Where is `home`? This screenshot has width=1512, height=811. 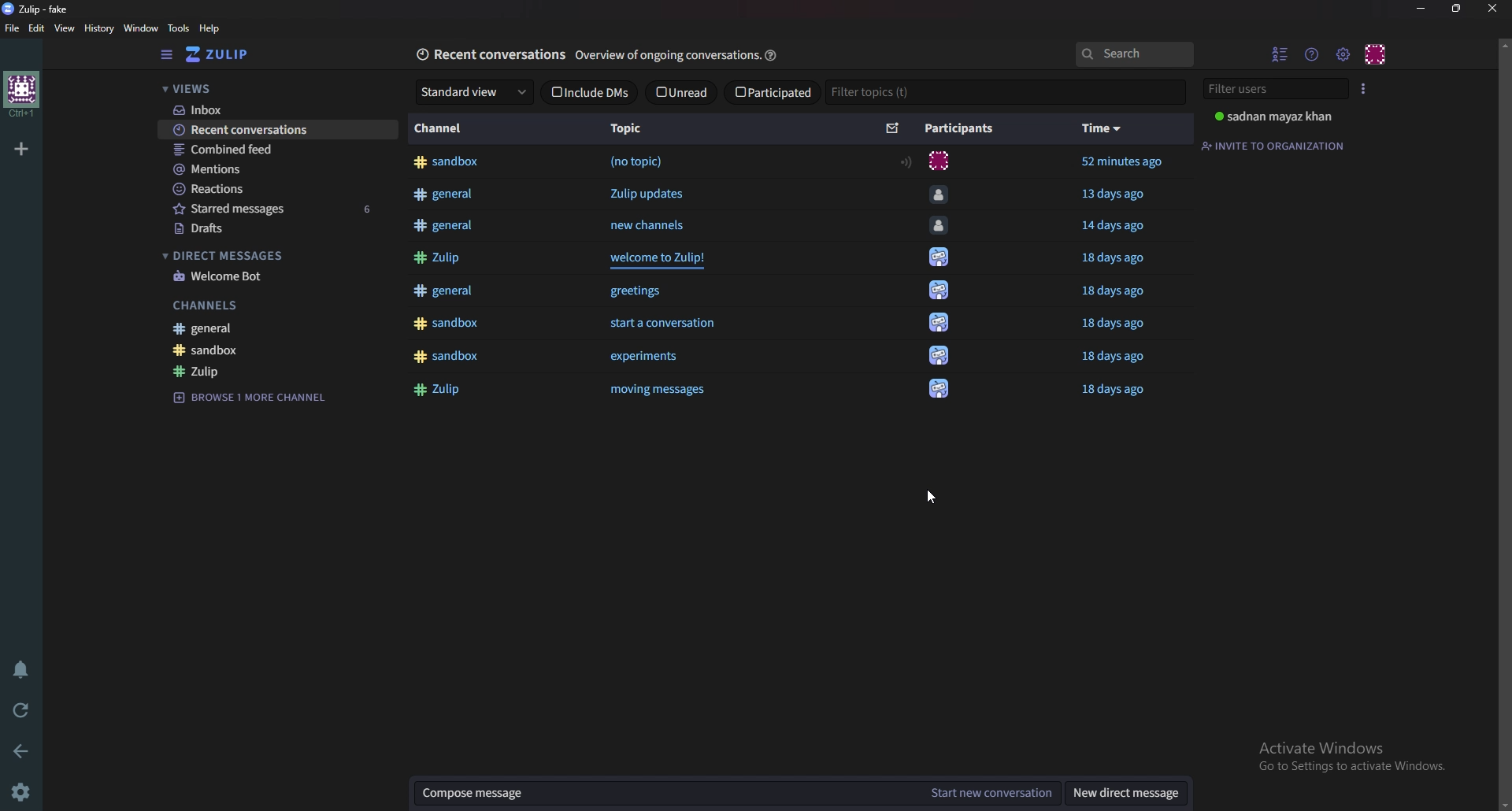
home is located at coordinates (23, 94).